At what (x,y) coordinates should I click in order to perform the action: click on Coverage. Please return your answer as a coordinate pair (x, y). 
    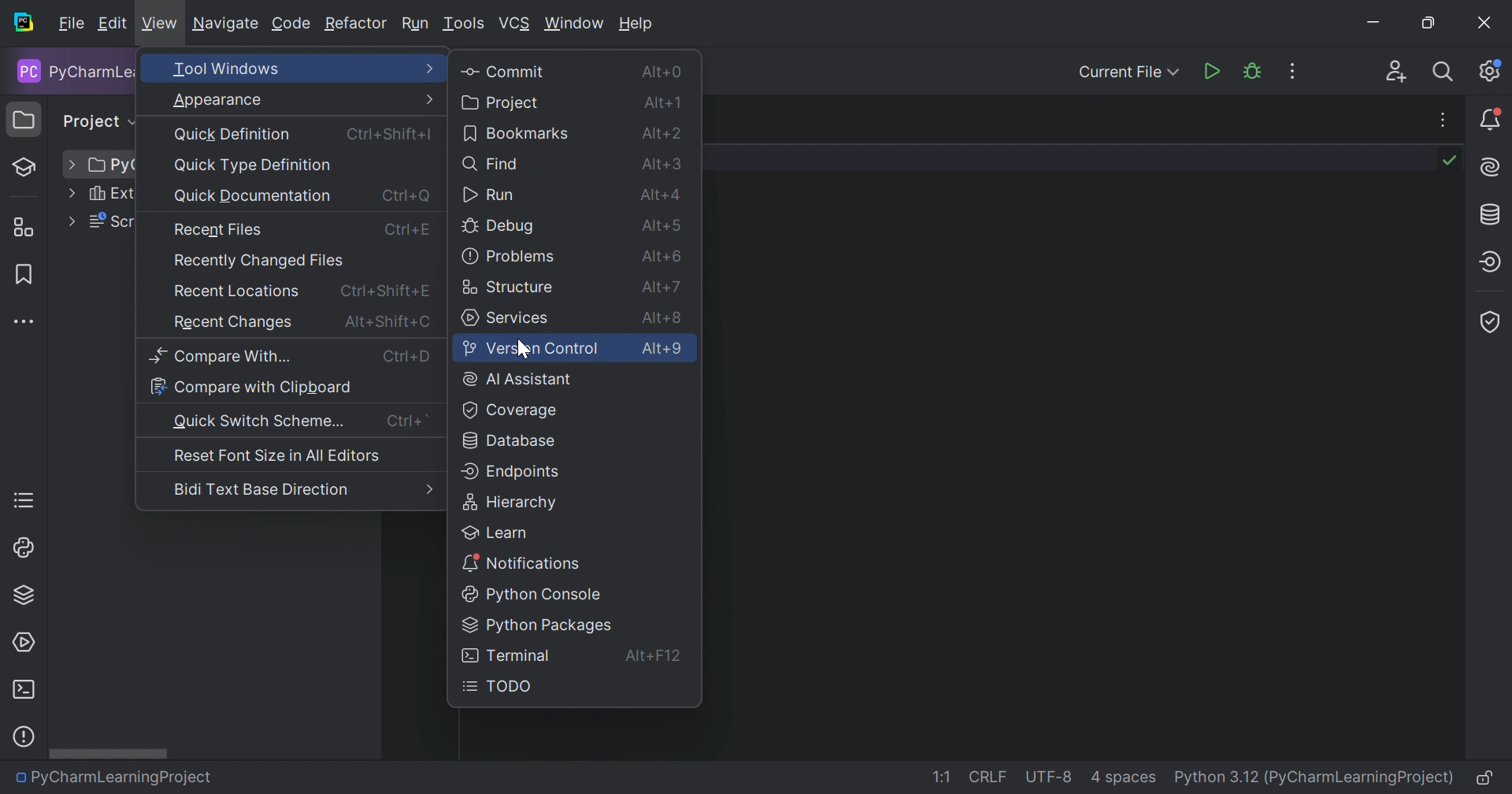
    Looking at the image, I should click on (1493, 325).